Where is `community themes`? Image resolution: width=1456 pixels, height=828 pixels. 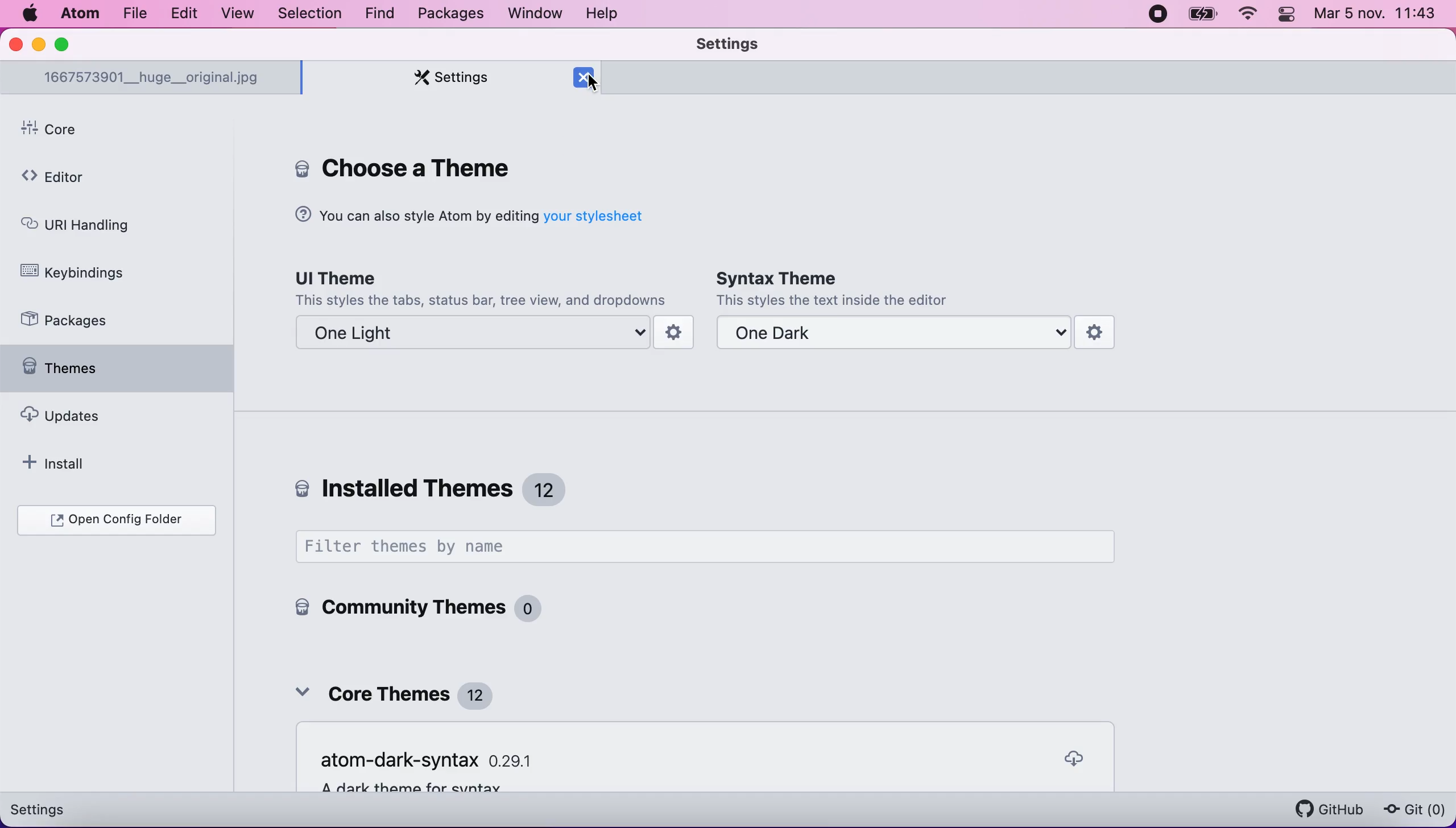 community themes is located at coordinates (411, 610).